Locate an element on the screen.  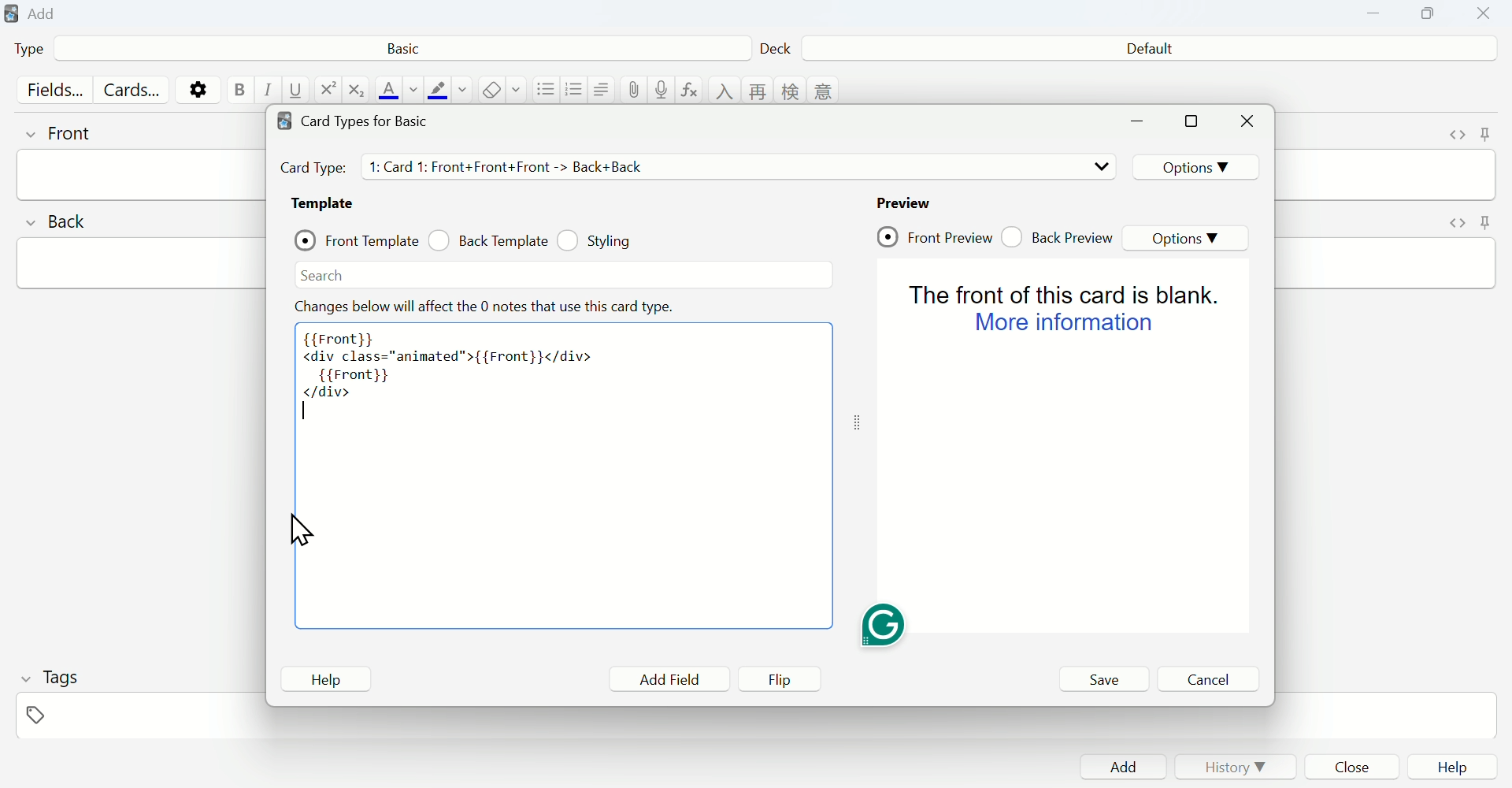
Preview is located at coordinates (905, 203).